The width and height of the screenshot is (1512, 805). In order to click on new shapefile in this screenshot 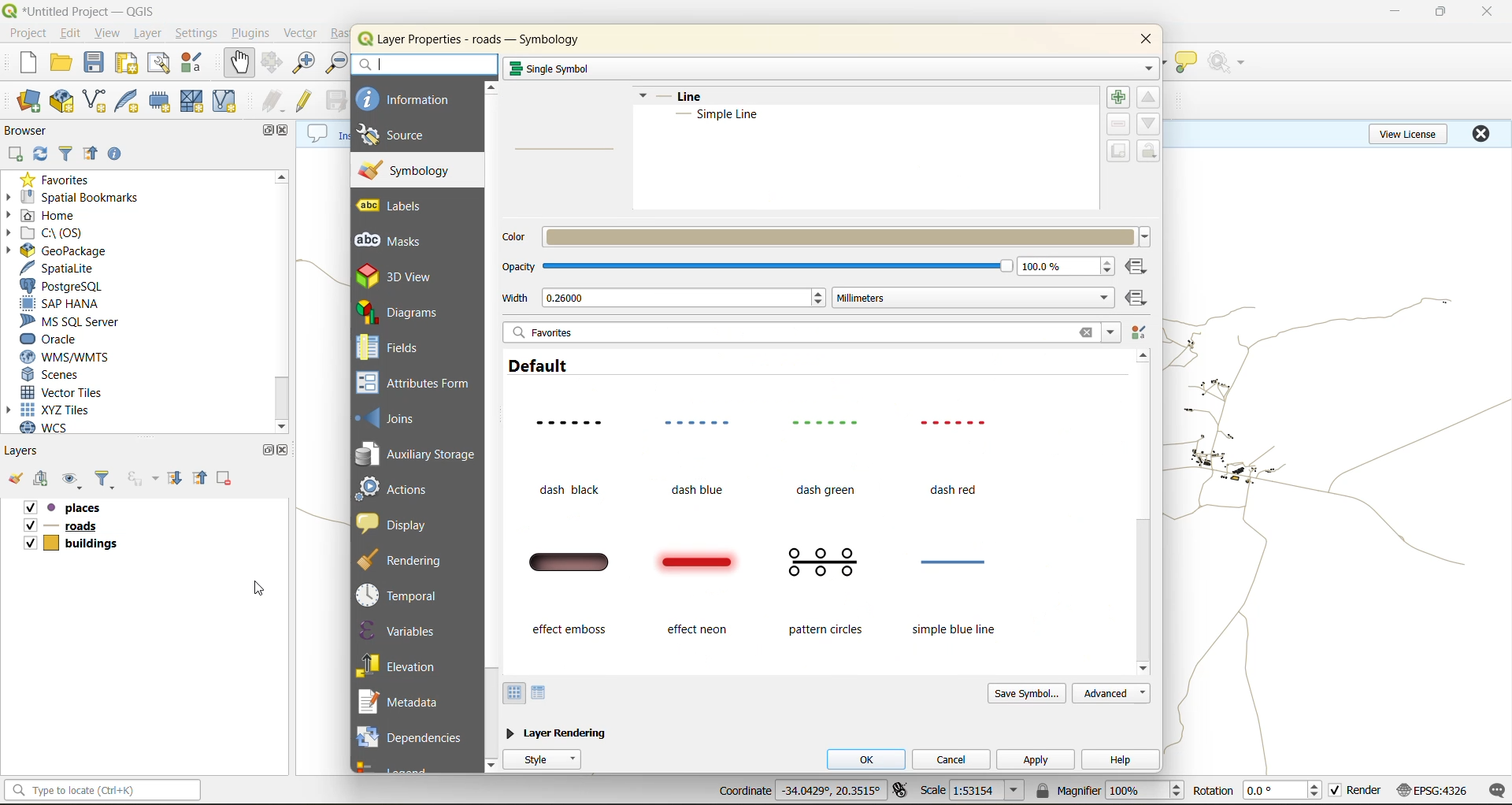, I will do `click(92, 102)`.